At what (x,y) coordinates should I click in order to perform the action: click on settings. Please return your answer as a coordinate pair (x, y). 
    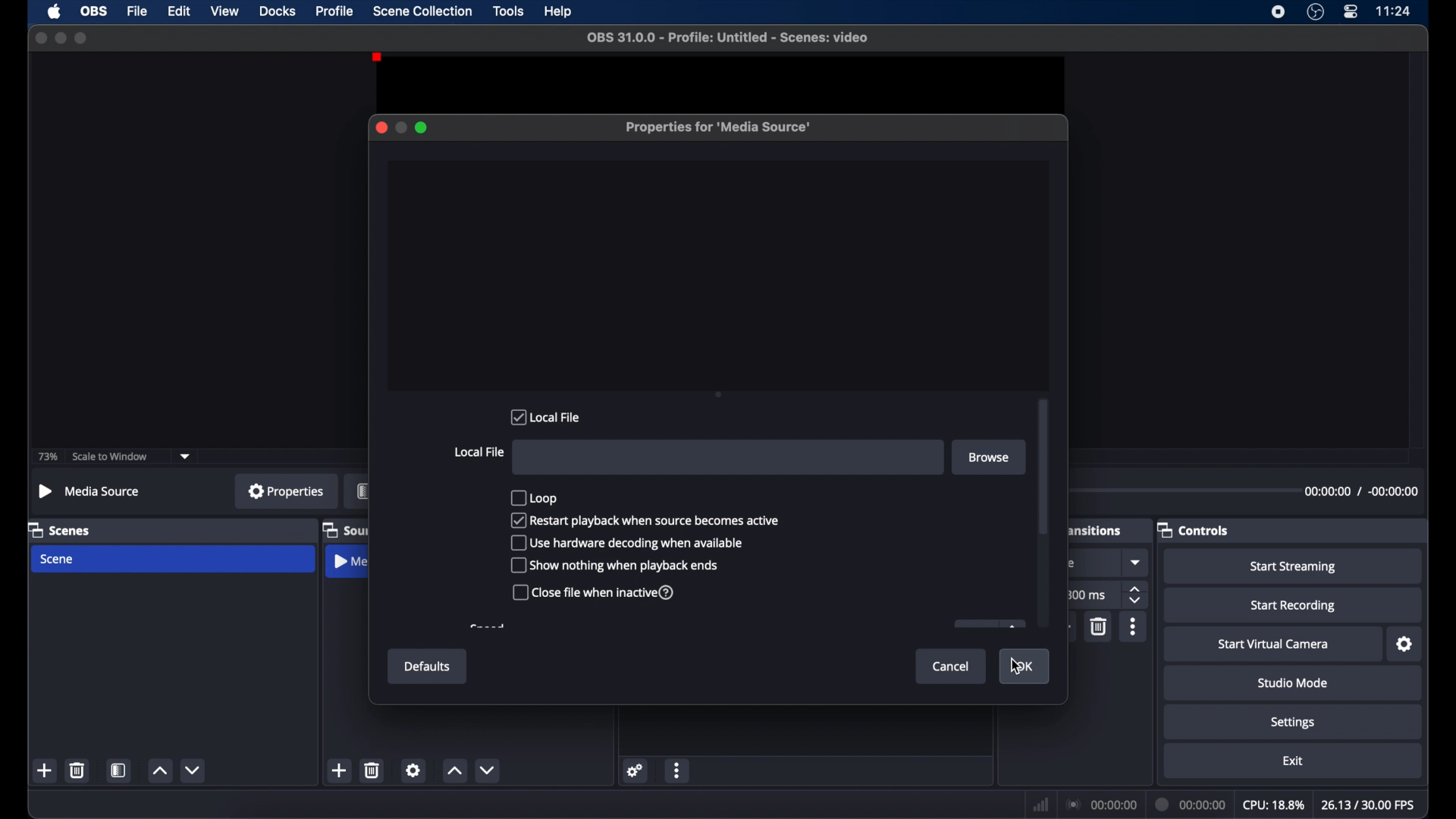
    Looking at the image, I should click on (1405, 645).